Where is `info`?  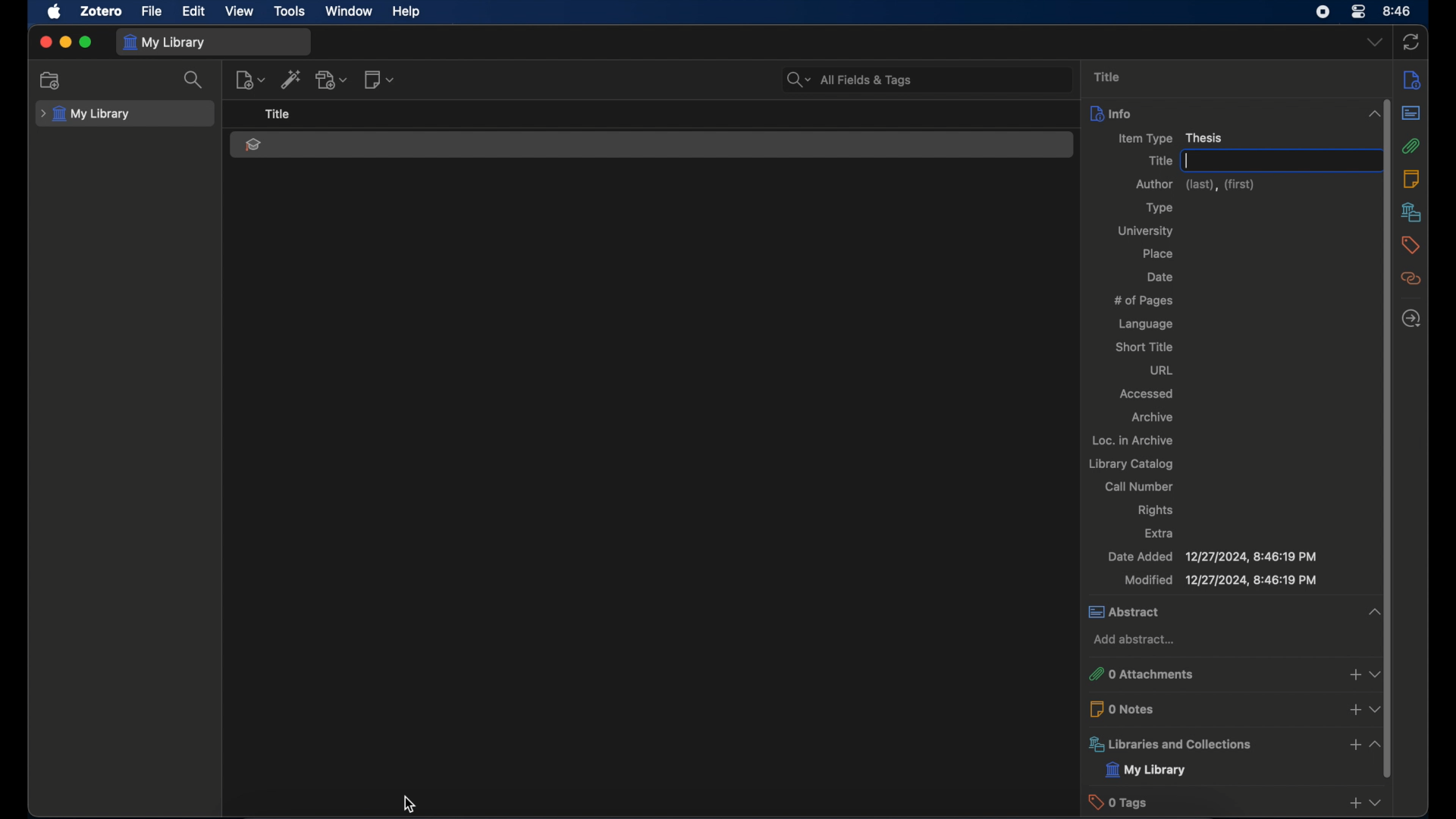 info is located at coordinates (1415, 80).